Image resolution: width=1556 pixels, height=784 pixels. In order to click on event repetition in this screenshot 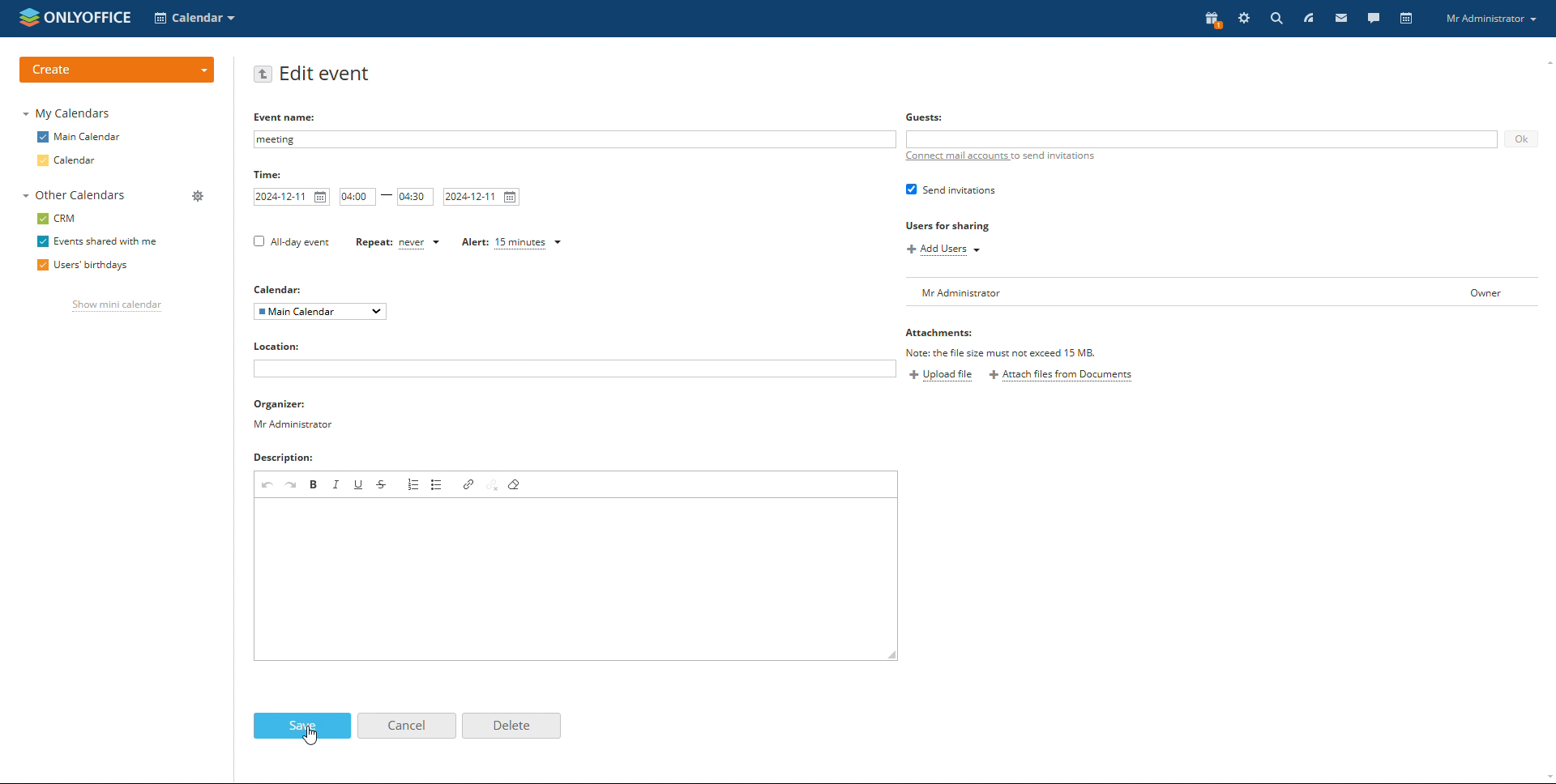, I will do `click(396, 242)`.